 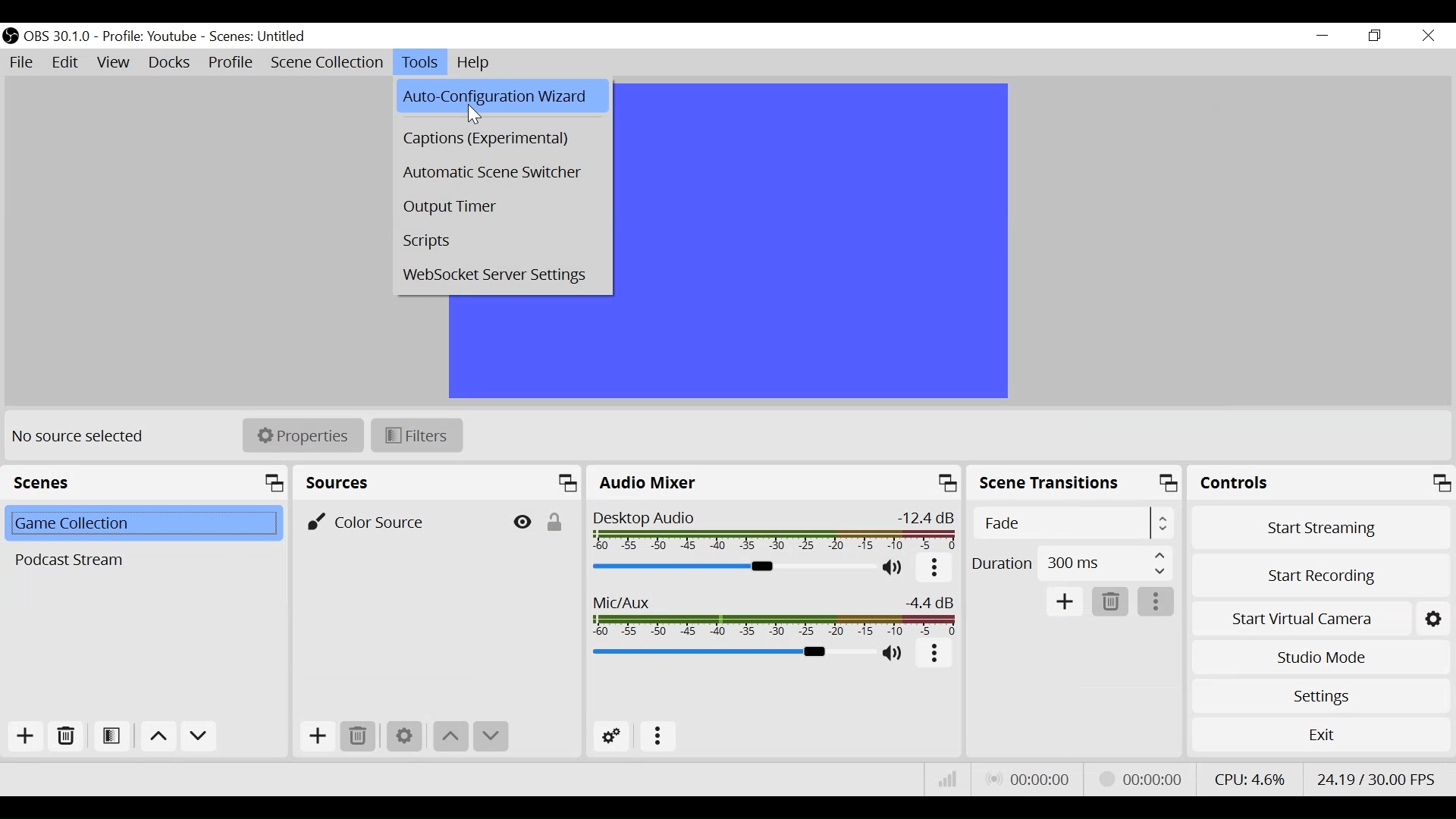 I want to click on Settings, so click(x=1318, y=696).